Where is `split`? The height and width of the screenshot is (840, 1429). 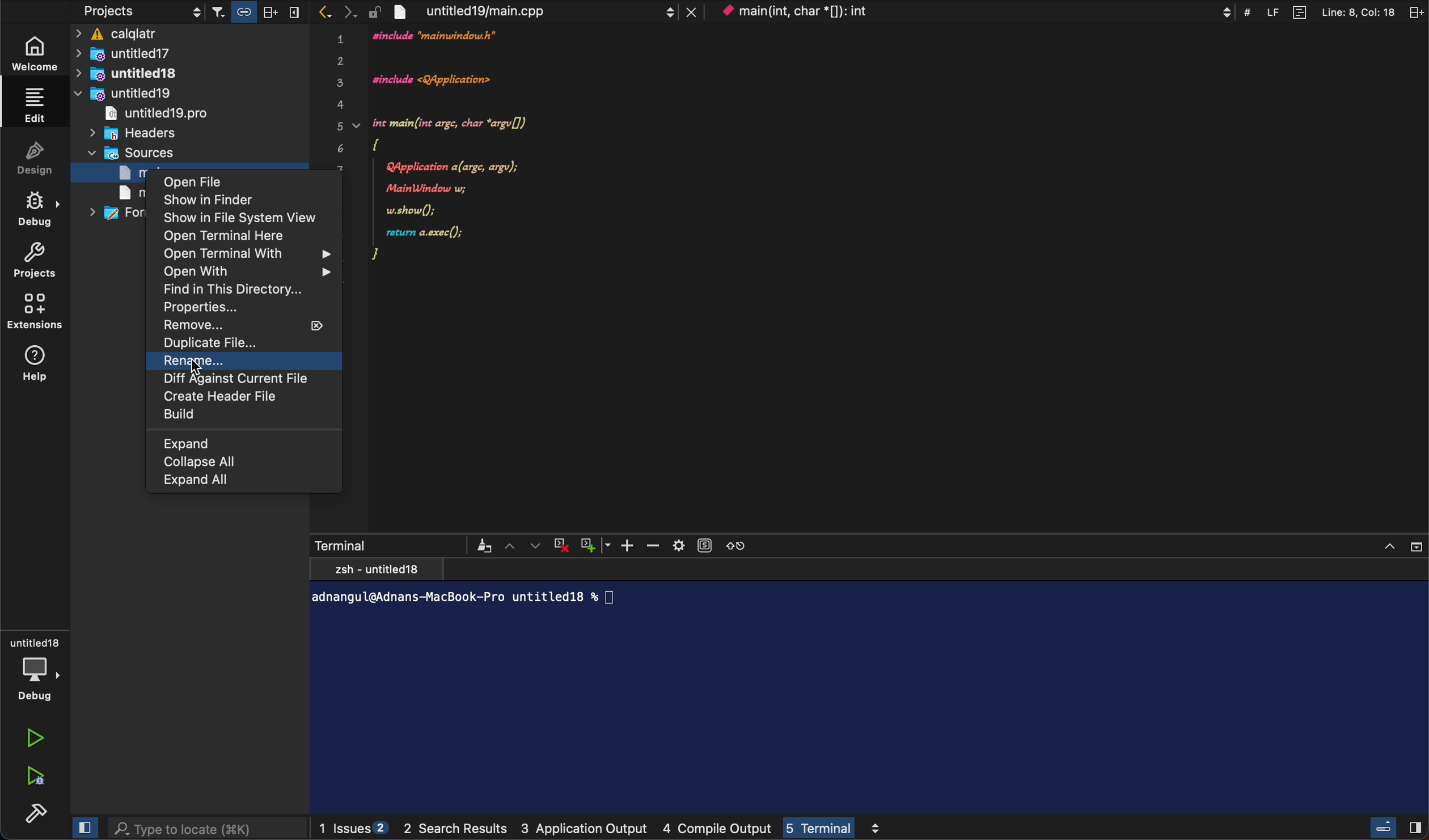
split is located at coordinates (1414, 11).